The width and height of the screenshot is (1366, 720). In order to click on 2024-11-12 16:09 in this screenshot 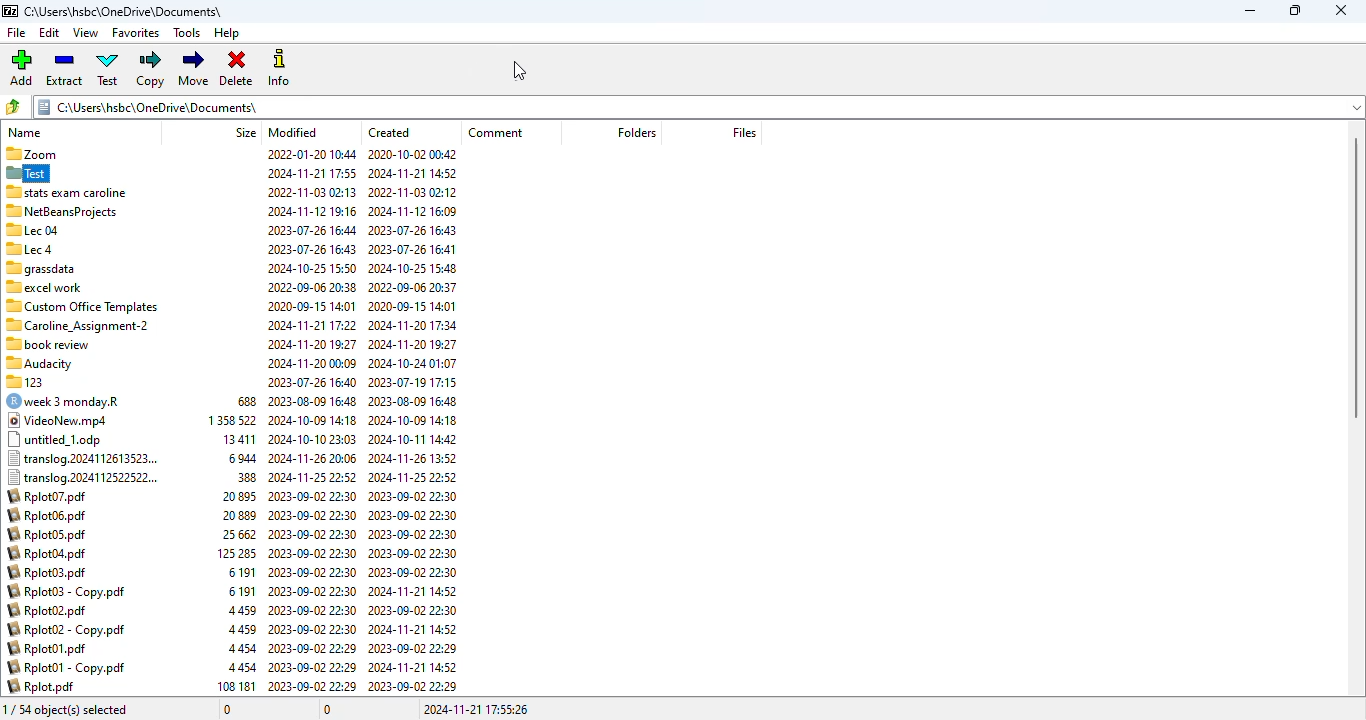, I will do `click(413, 211)`.